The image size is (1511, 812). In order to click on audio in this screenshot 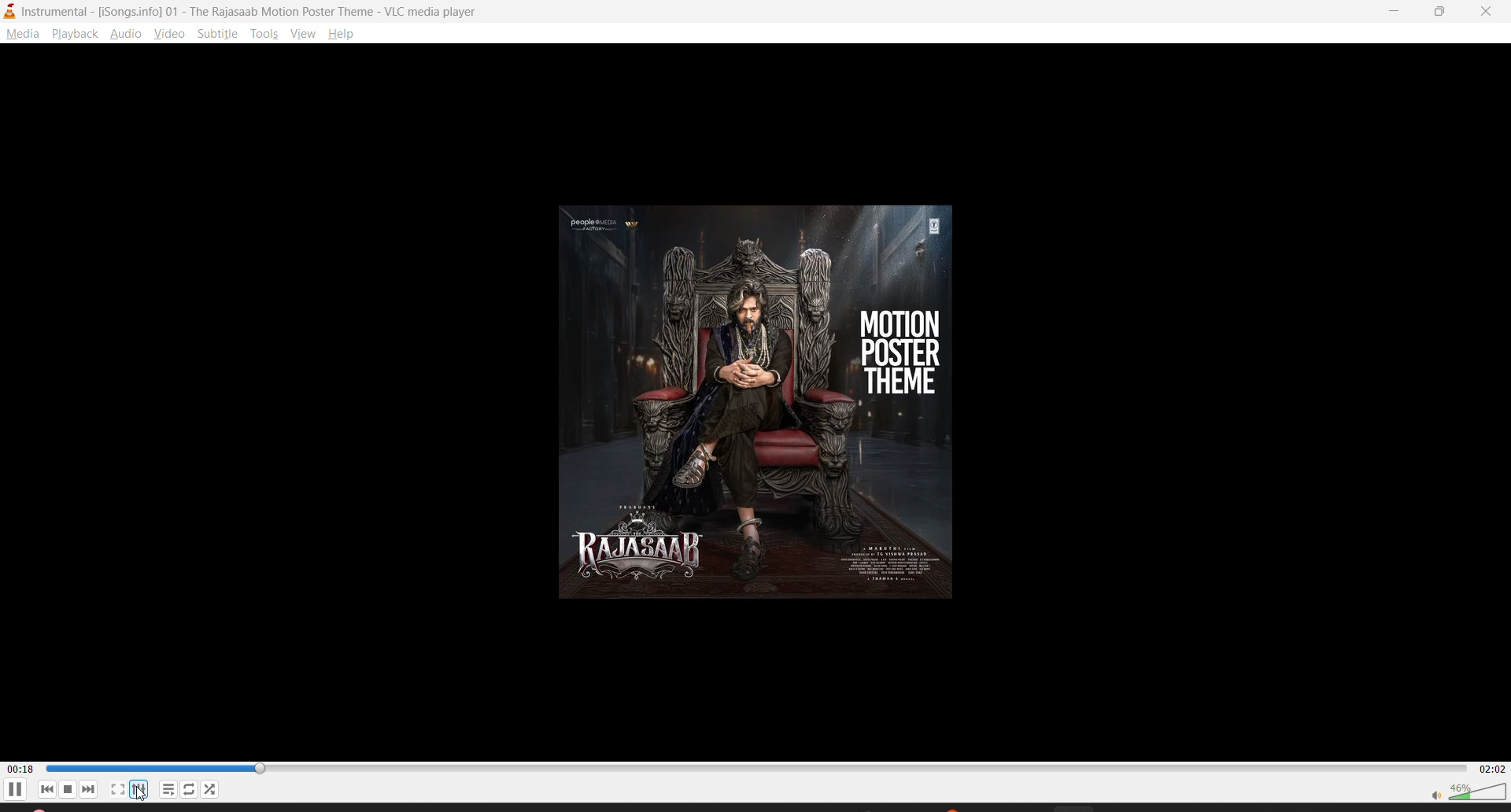, I will do `click(127, 35)`.